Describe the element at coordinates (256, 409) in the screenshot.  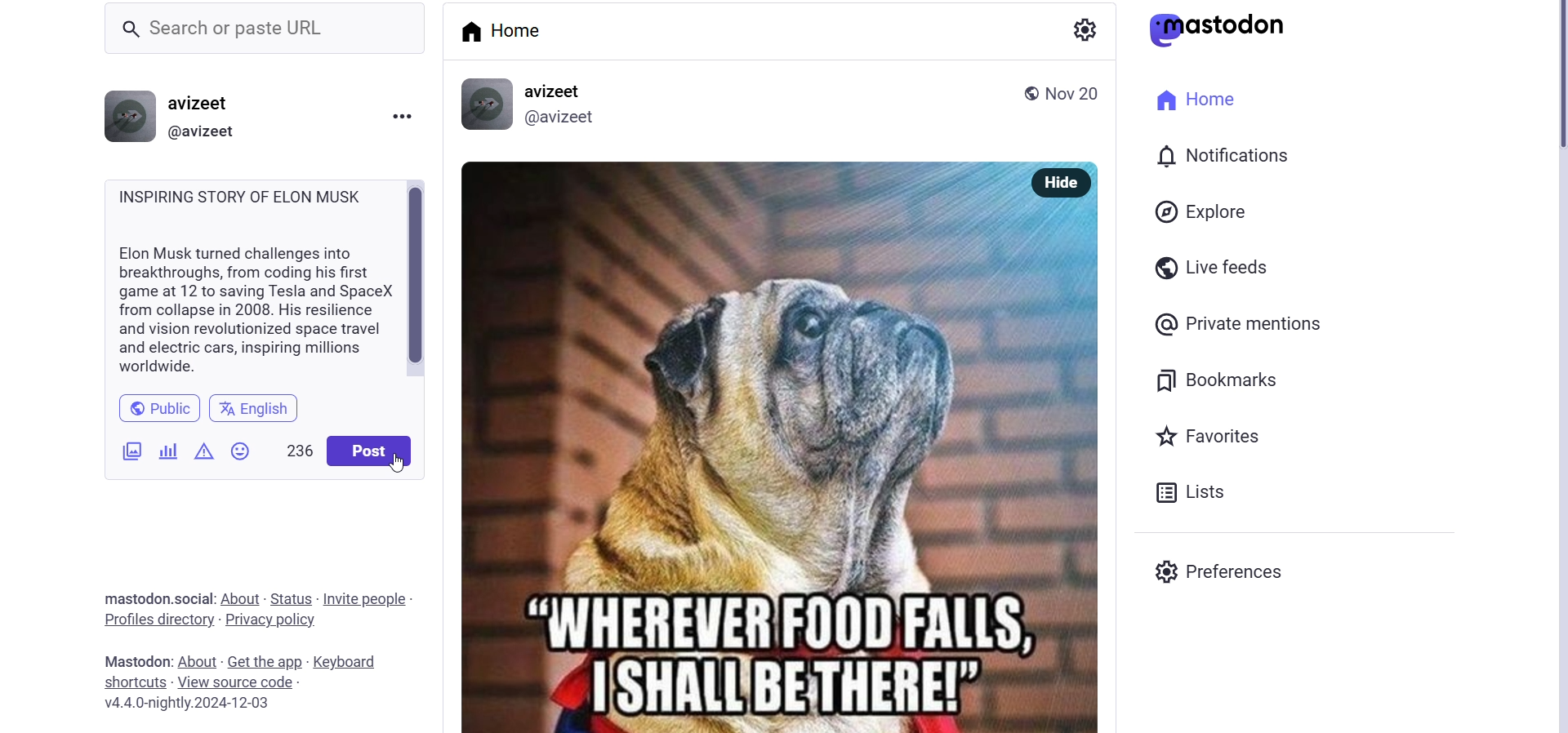
I see `language` at that location.